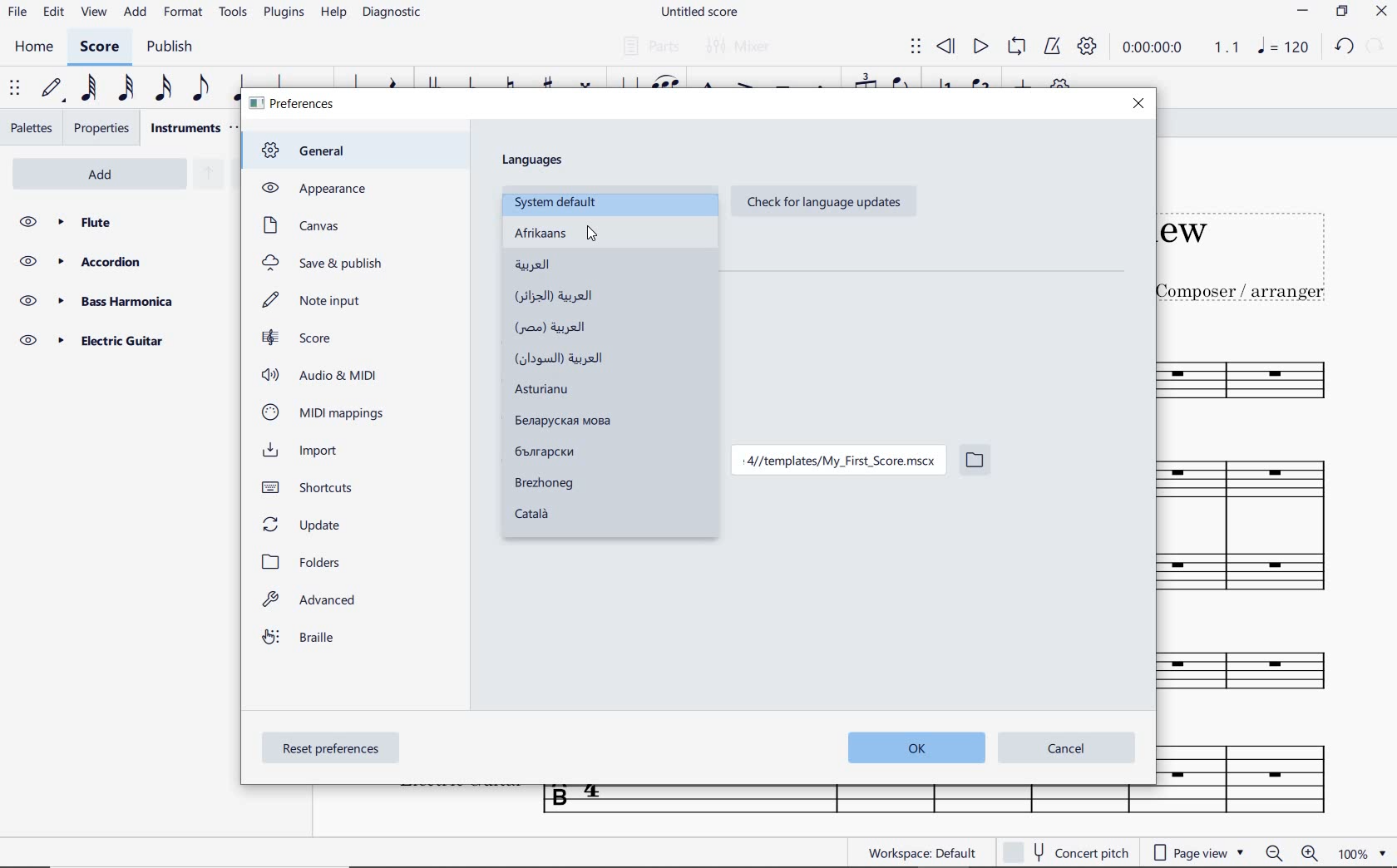 The width and height of the screenshot is (1397, 868). What do you see at coordinates (555, 517) in the screenshot?
I see `catala` at bounding box center [555, 517].